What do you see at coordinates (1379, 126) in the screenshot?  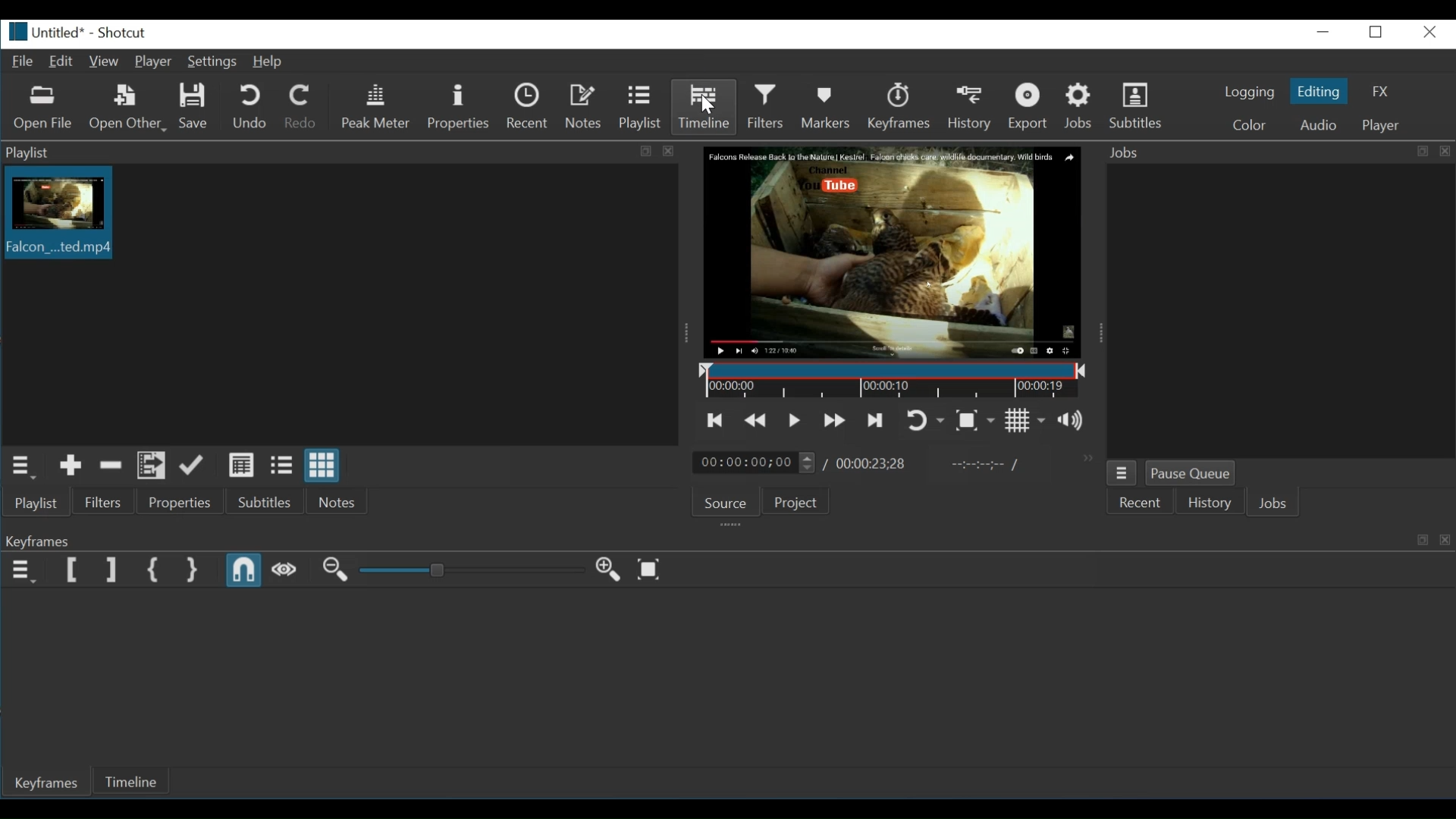 I see `Player` at bounding box center [1379, 126].